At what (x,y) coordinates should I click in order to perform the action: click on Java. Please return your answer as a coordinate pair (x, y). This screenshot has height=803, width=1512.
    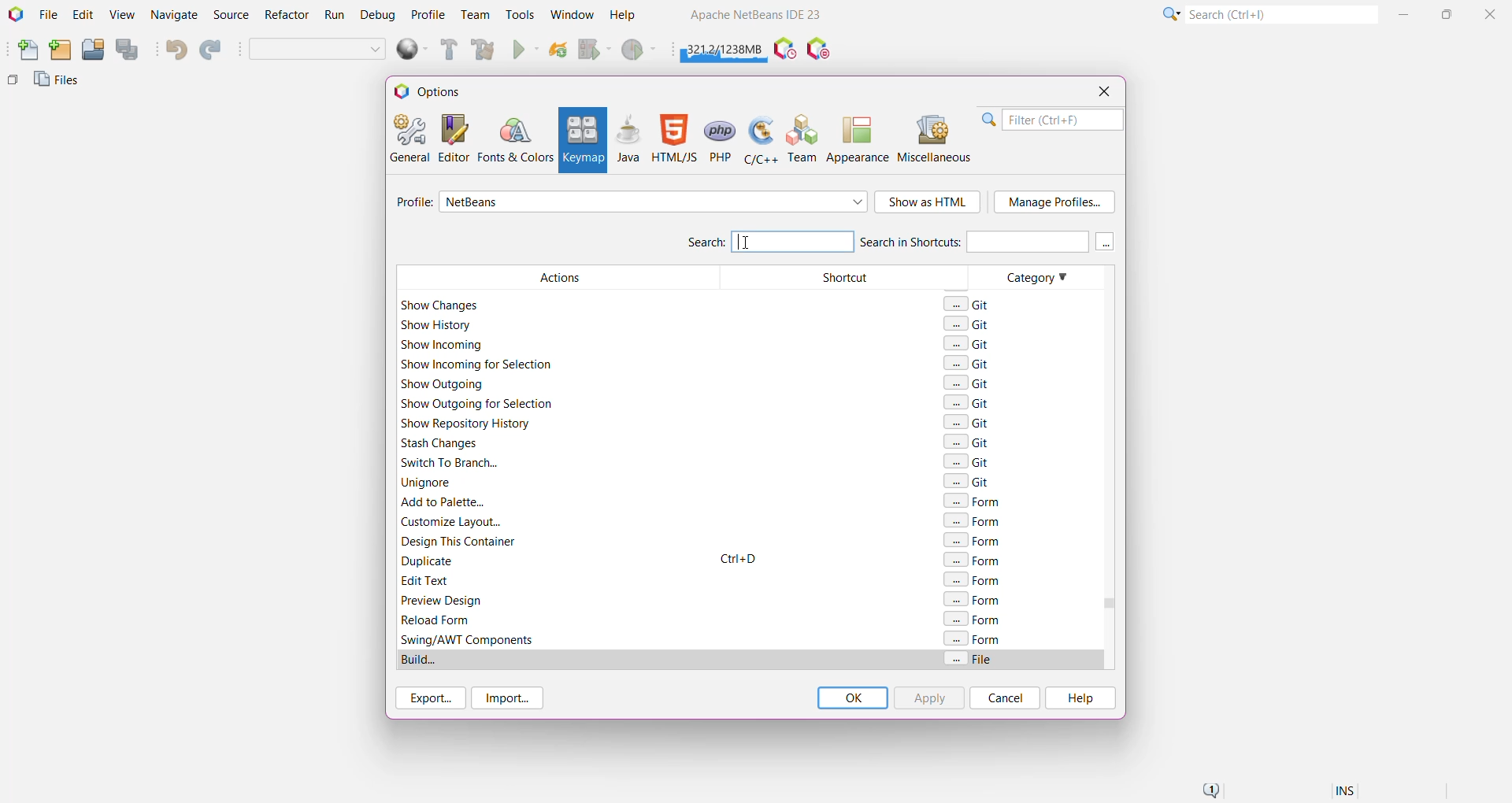
    Looking at the image, I should click on (628, 139).